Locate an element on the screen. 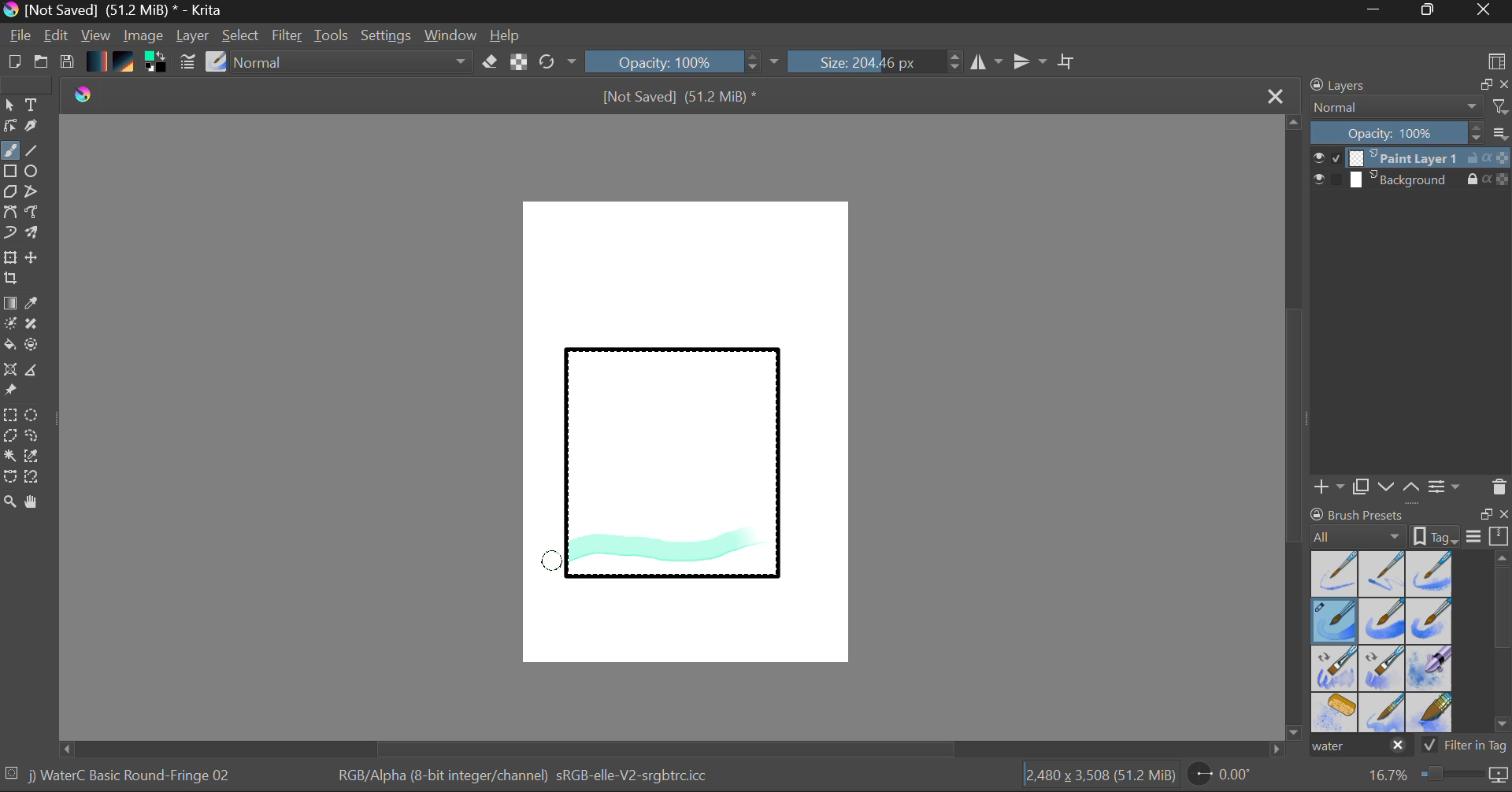 This screenshot has height=792, width=1512. Document Dimensions is located at coordinates (1099, 778).